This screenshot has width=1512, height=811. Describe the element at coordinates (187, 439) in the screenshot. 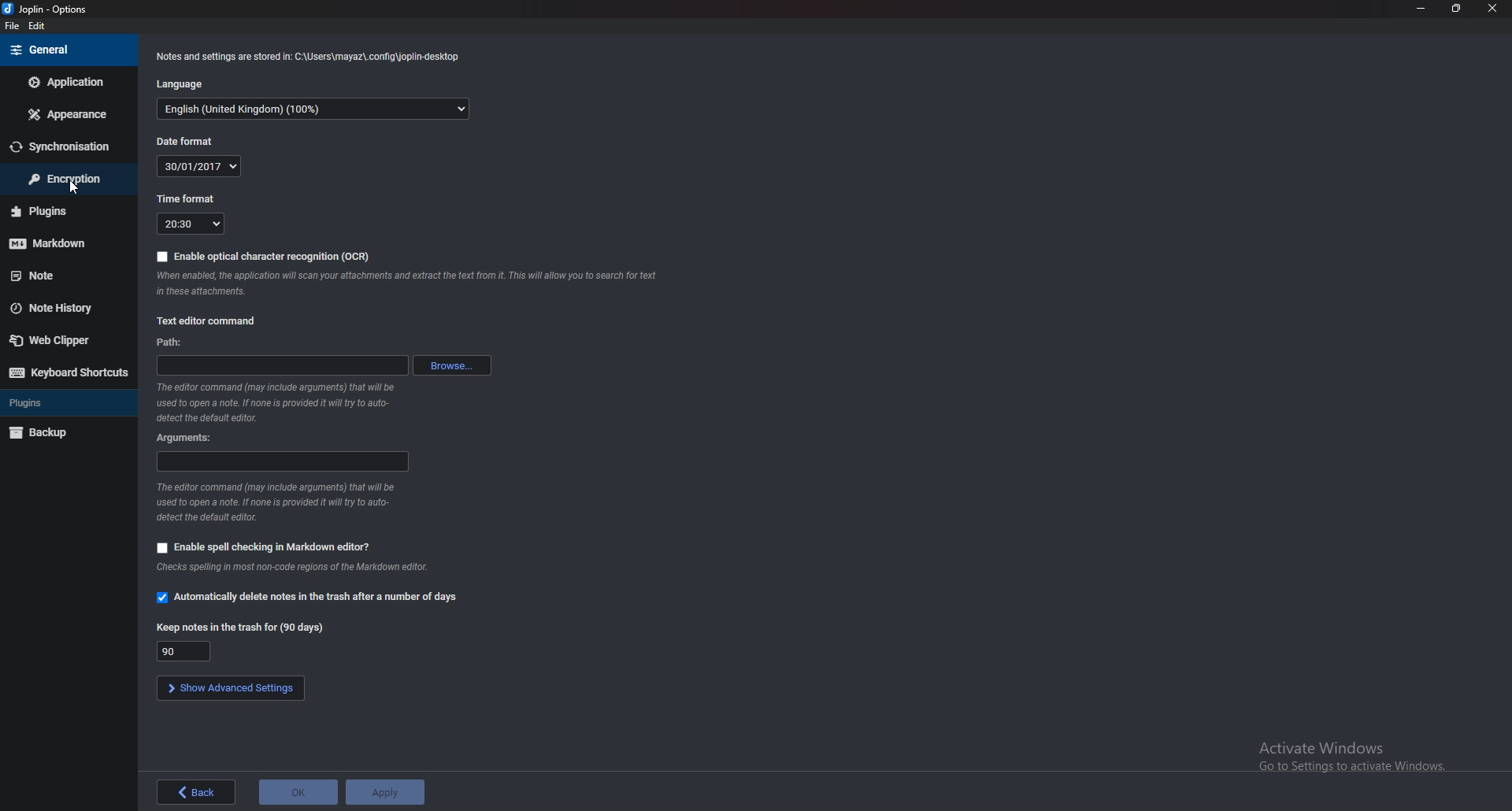

I see `arguments` at that location.